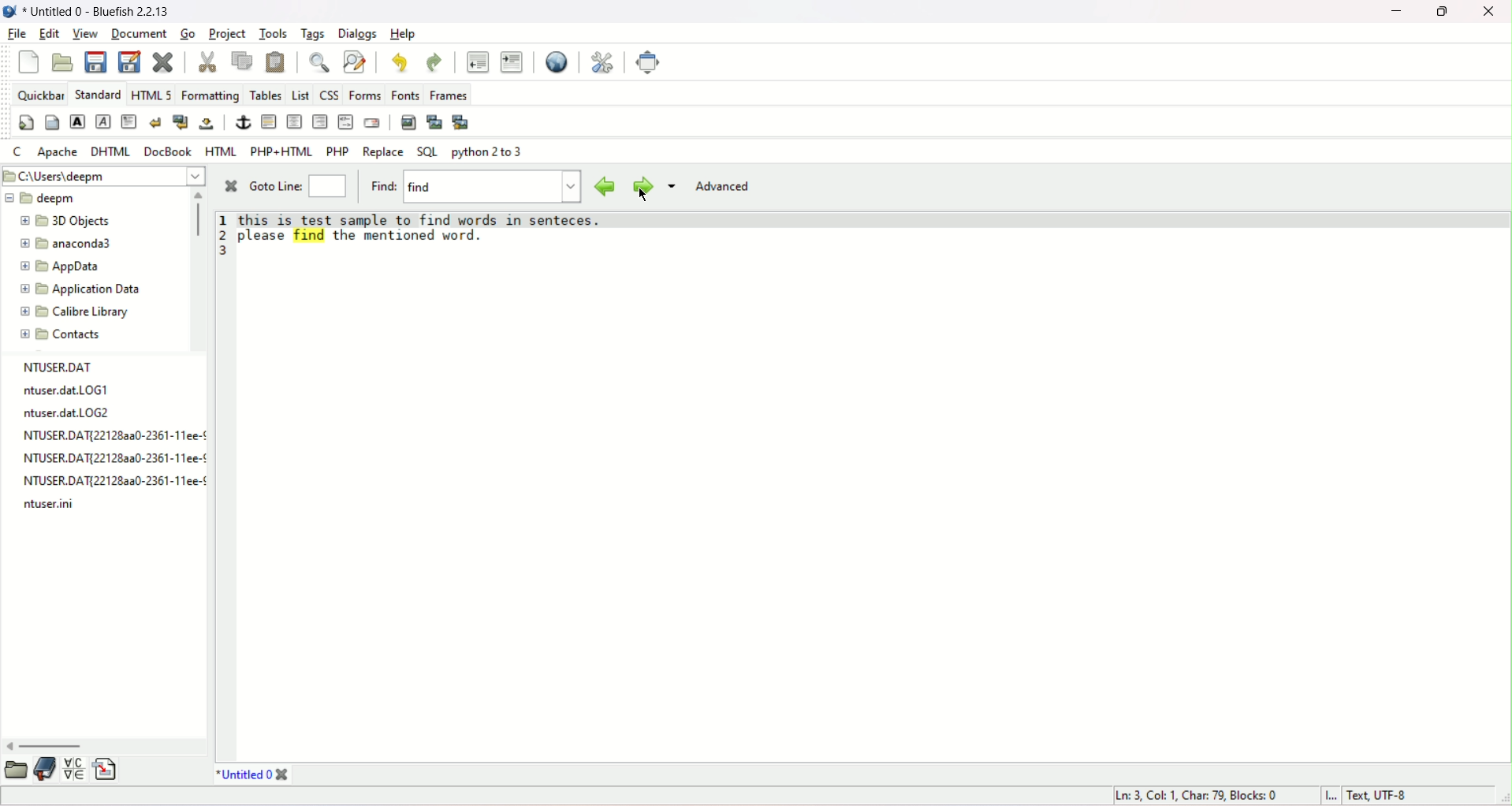  Describe the element at coordinates (492, 187) in the screenshot. I see `find` at that location.